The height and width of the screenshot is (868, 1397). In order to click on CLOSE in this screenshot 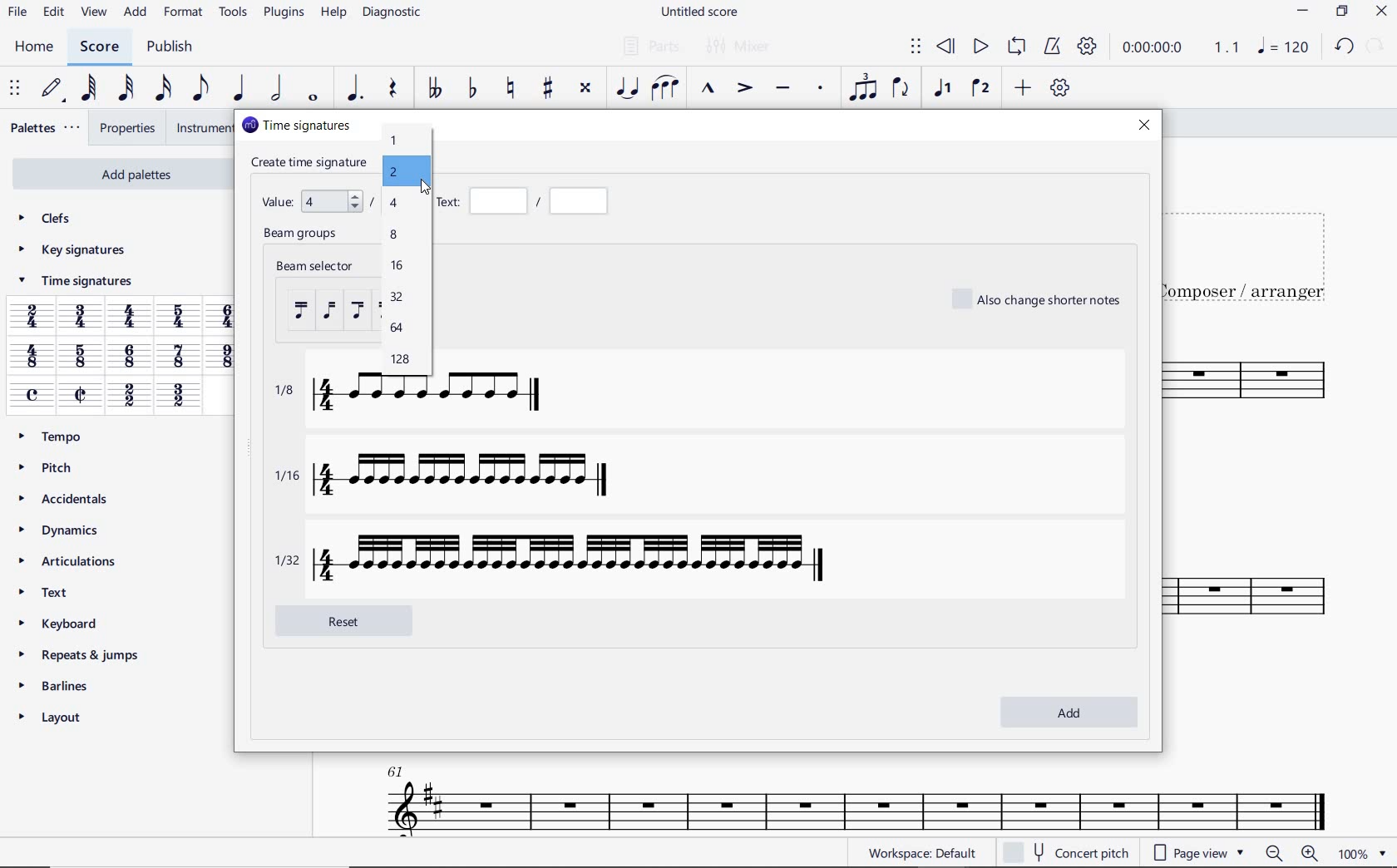, I will do `click(1381, 12)`.